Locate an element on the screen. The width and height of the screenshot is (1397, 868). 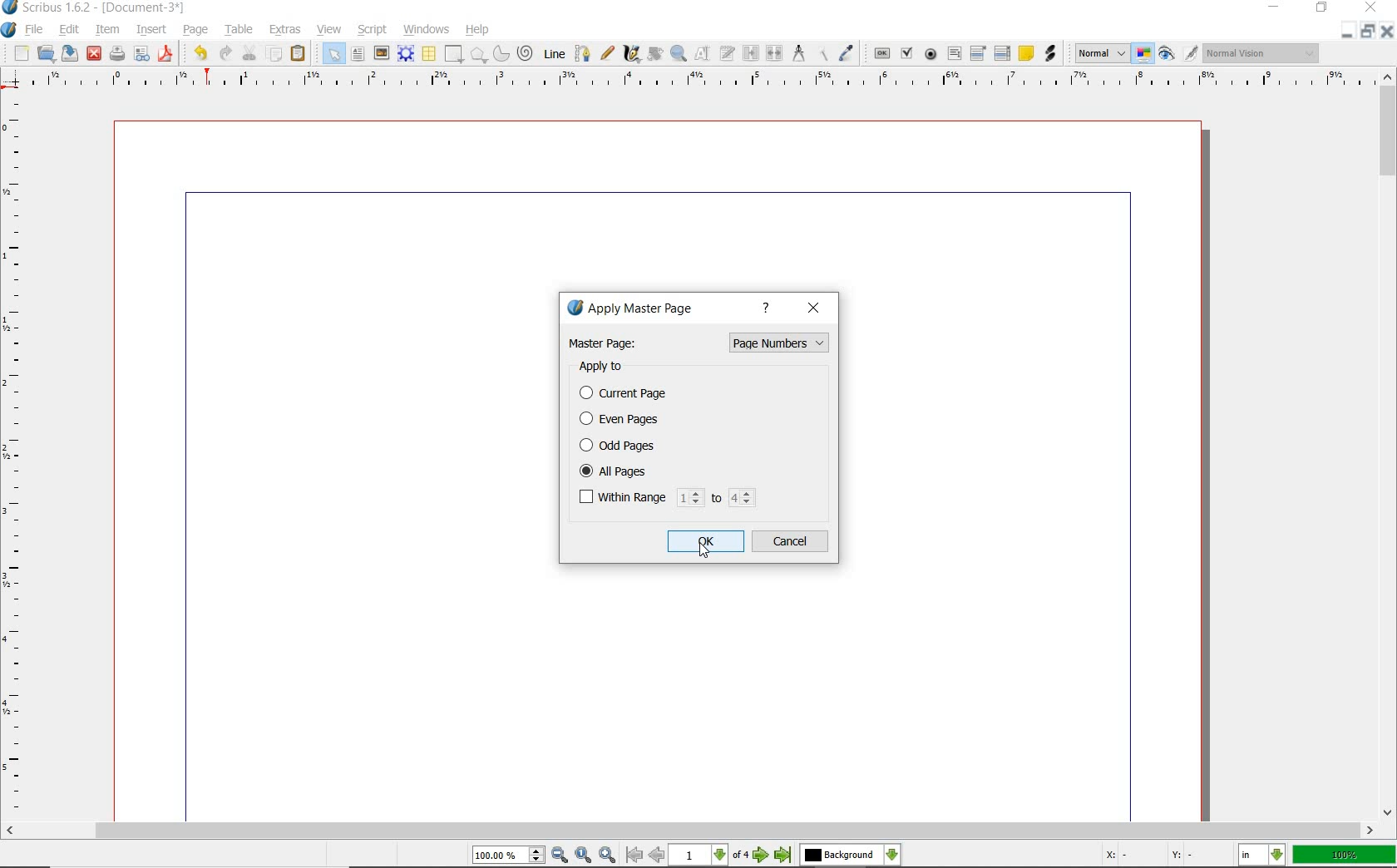
Close is located at coordinates (1389, 33).